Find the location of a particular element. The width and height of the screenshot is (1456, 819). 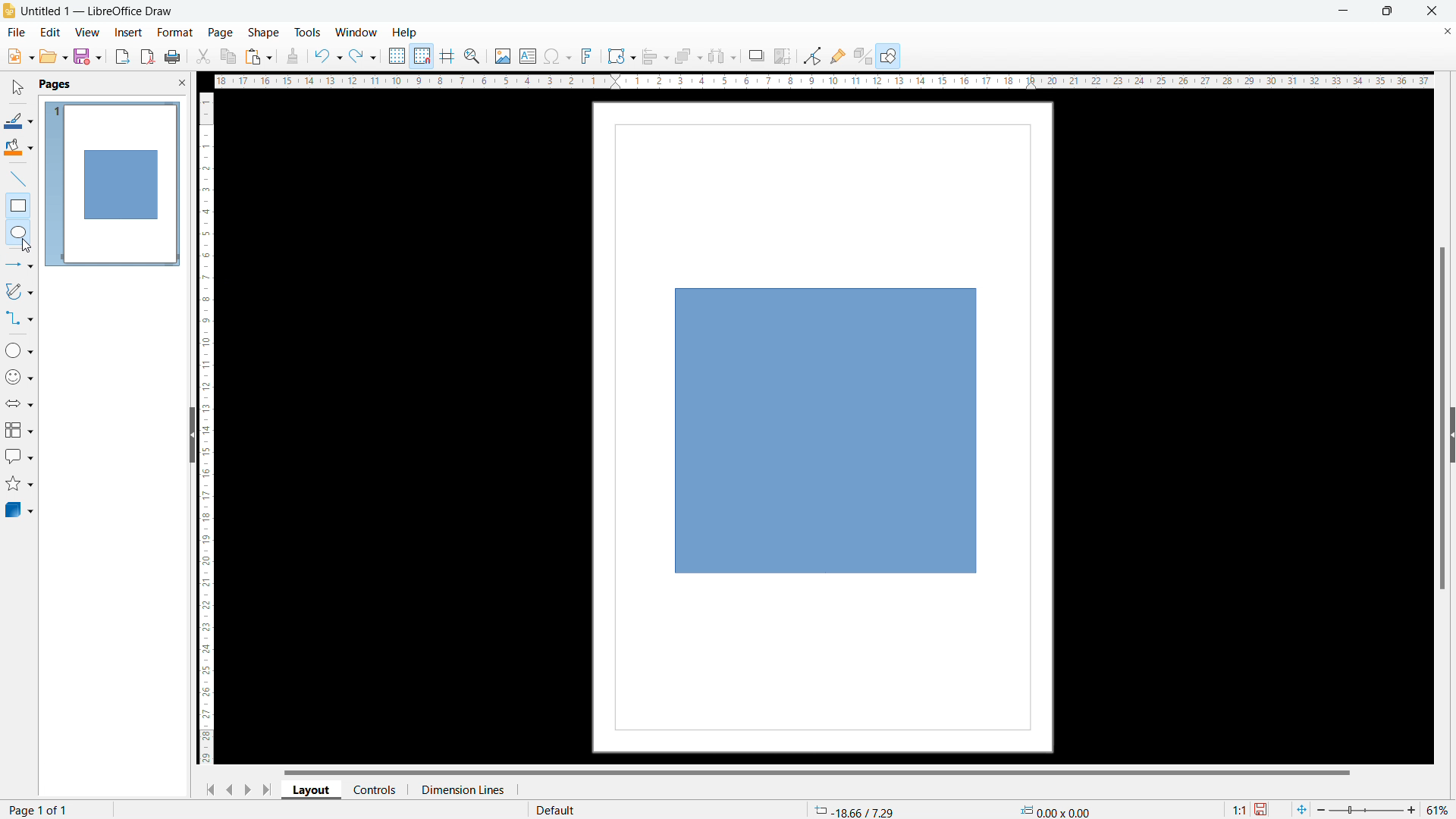

pages is located at coordinates (54, 83).